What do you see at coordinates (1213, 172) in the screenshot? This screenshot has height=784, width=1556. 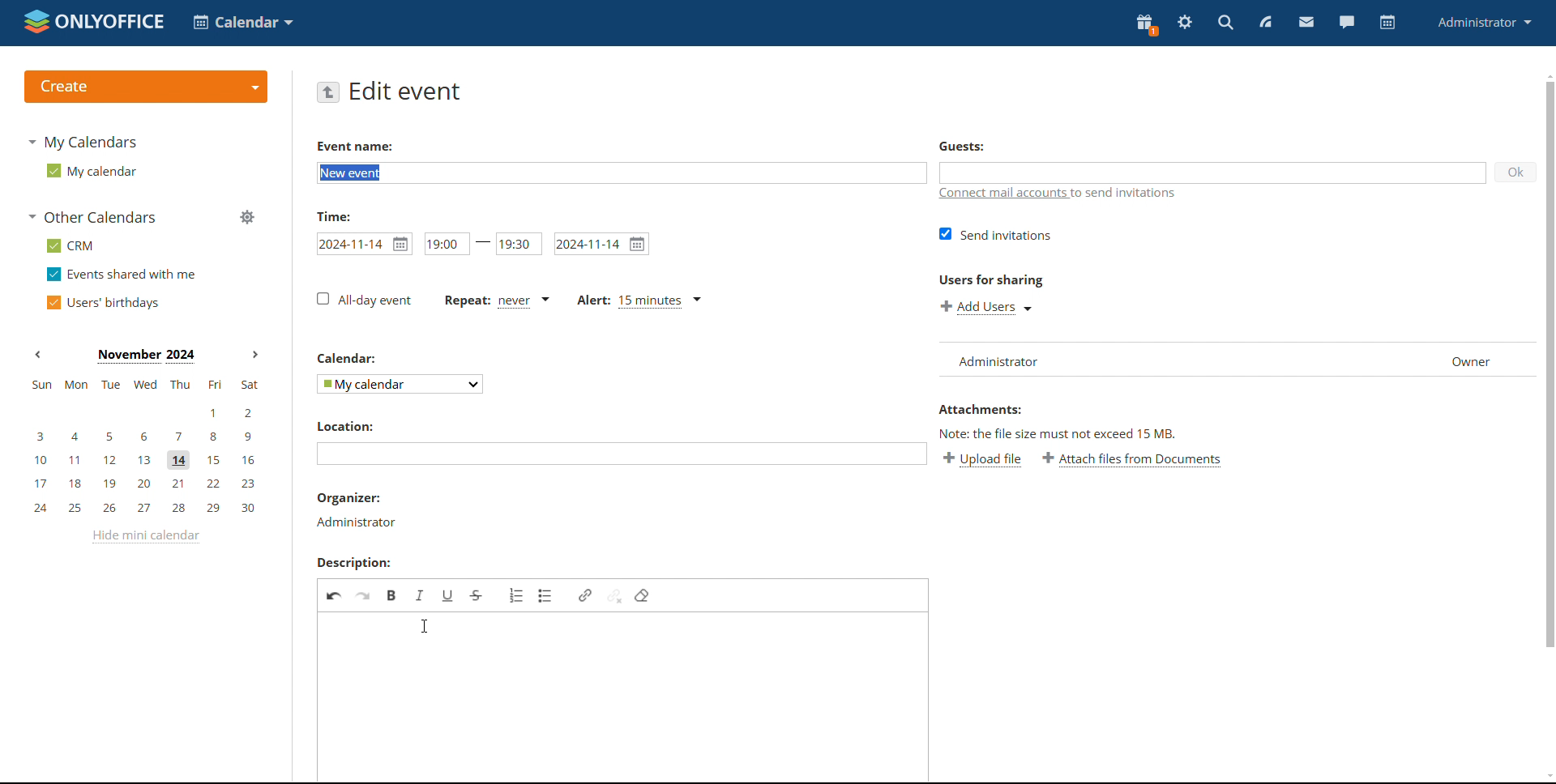 I see `add guests` at bounding box center [1213, 172].